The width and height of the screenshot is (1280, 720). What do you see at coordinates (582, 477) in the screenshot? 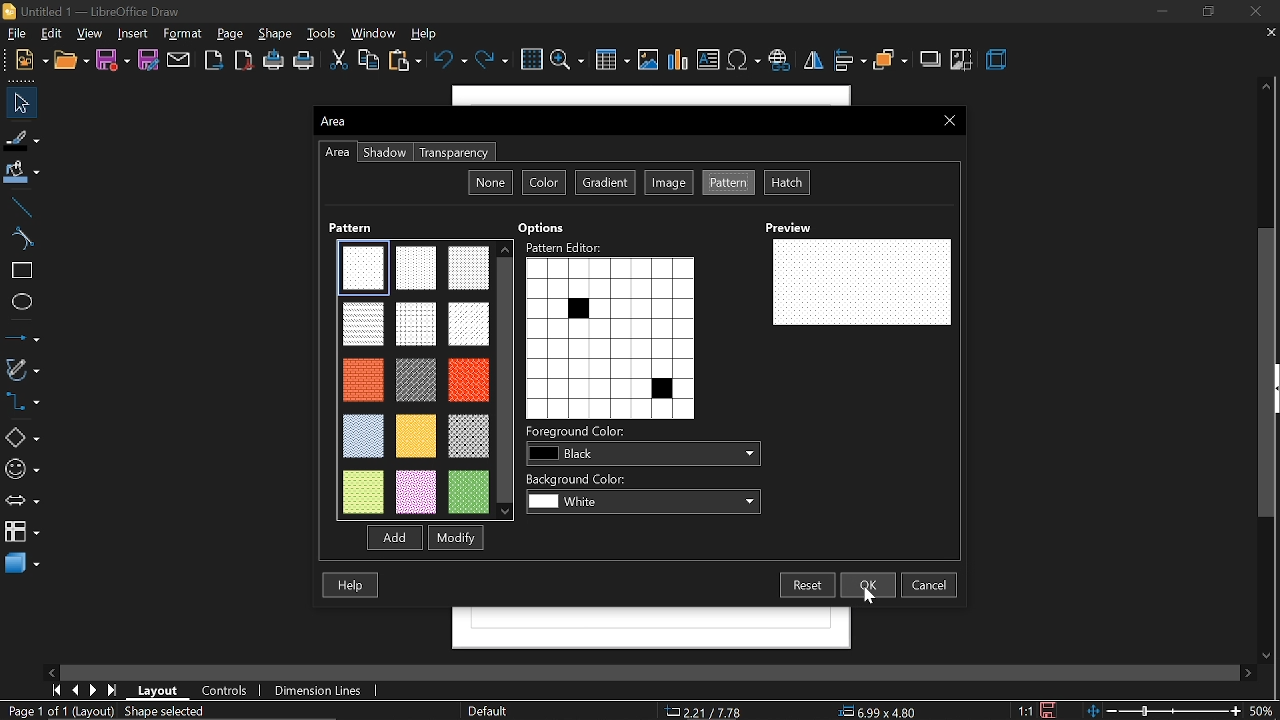
I see `Background Color` at bounding box center [582, 477].